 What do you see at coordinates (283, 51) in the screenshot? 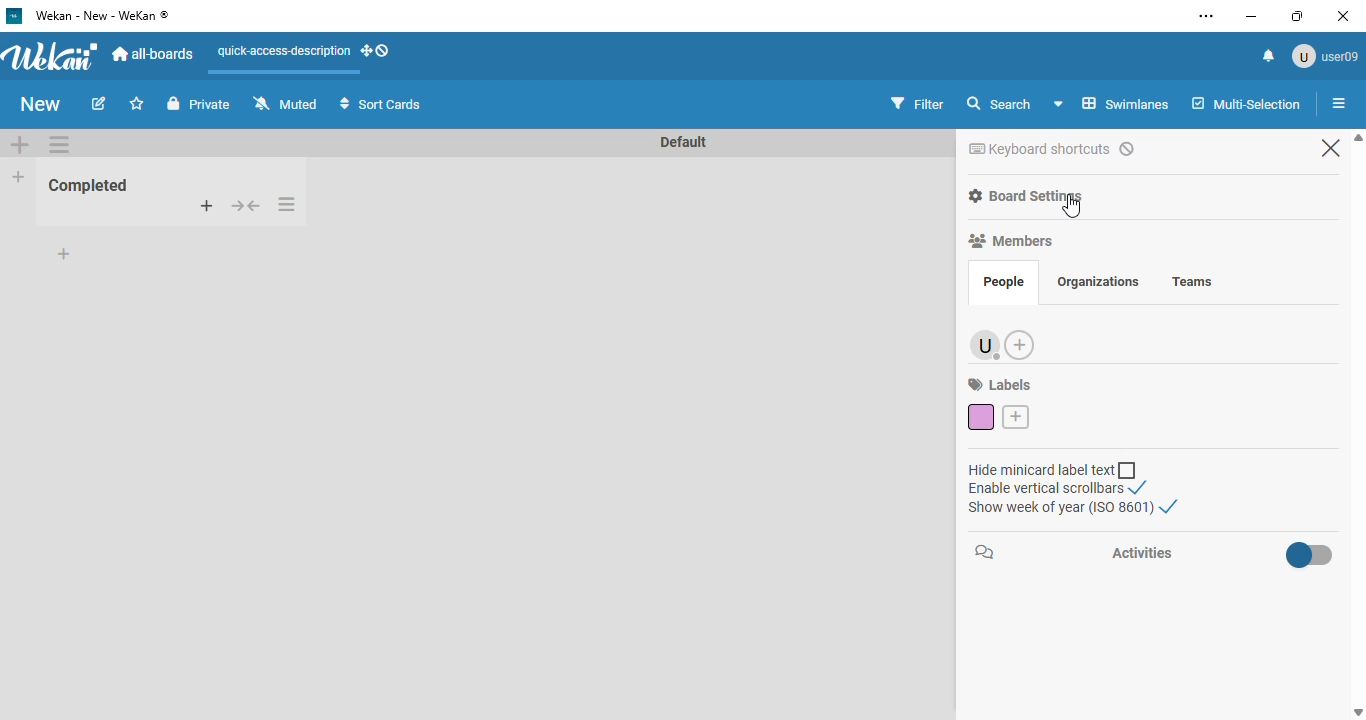
I see `quick-access-description` at bounding box center [283, 51].